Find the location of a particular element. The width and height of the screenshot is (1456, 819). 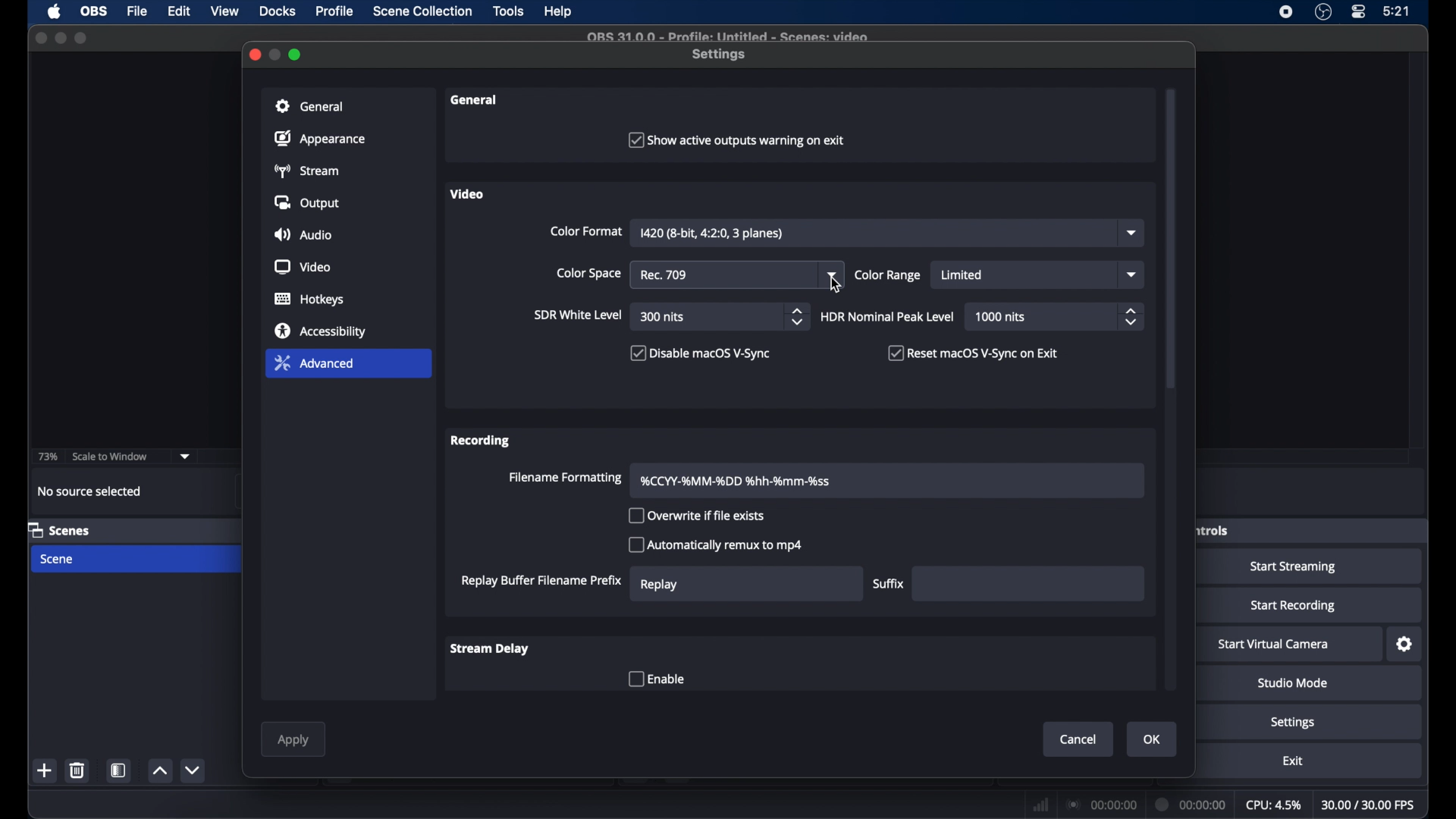

hotkeys is located at coordinates (309, 299).